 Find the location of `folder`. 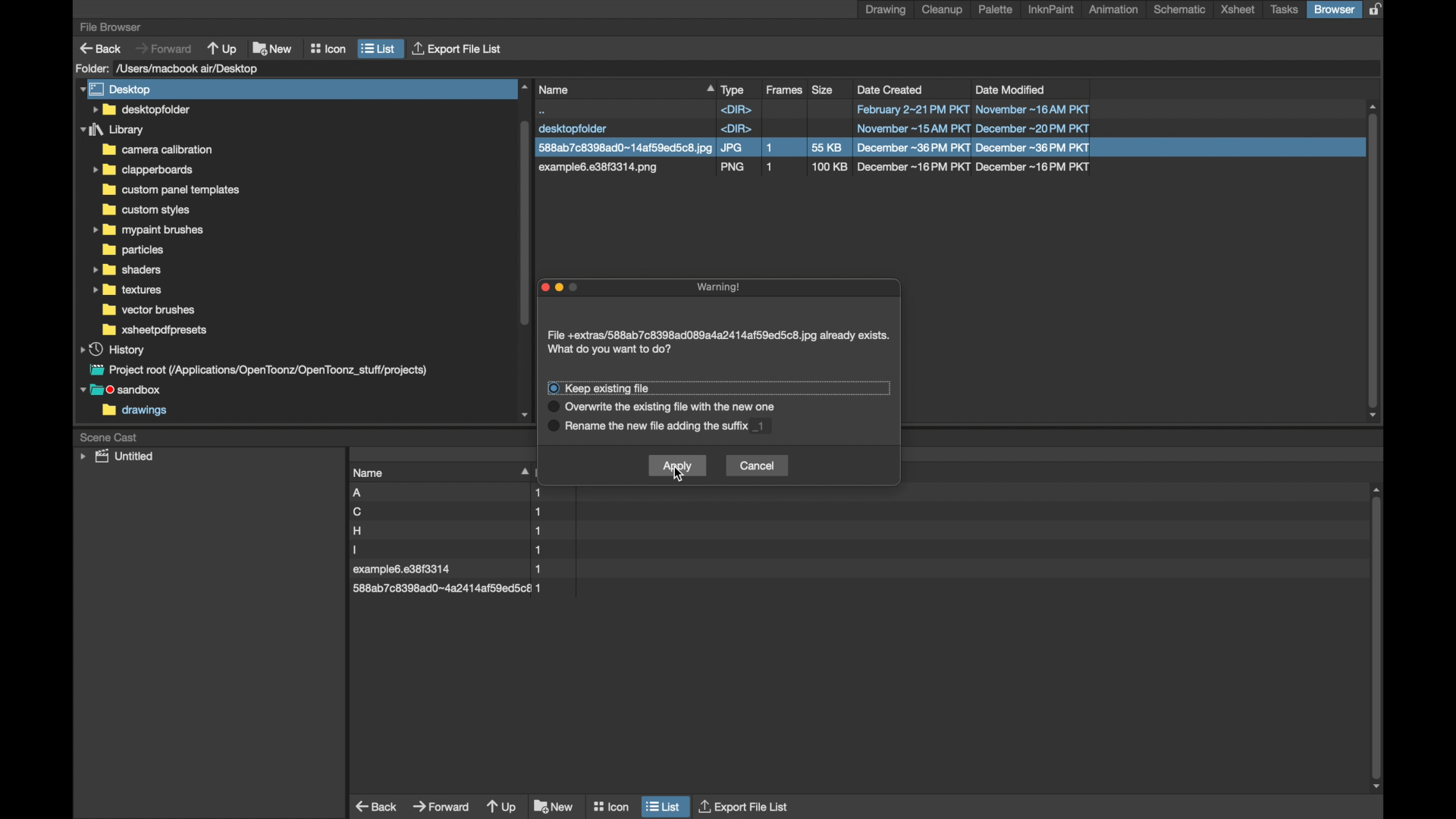

folder is located at coordinates (133, 250).